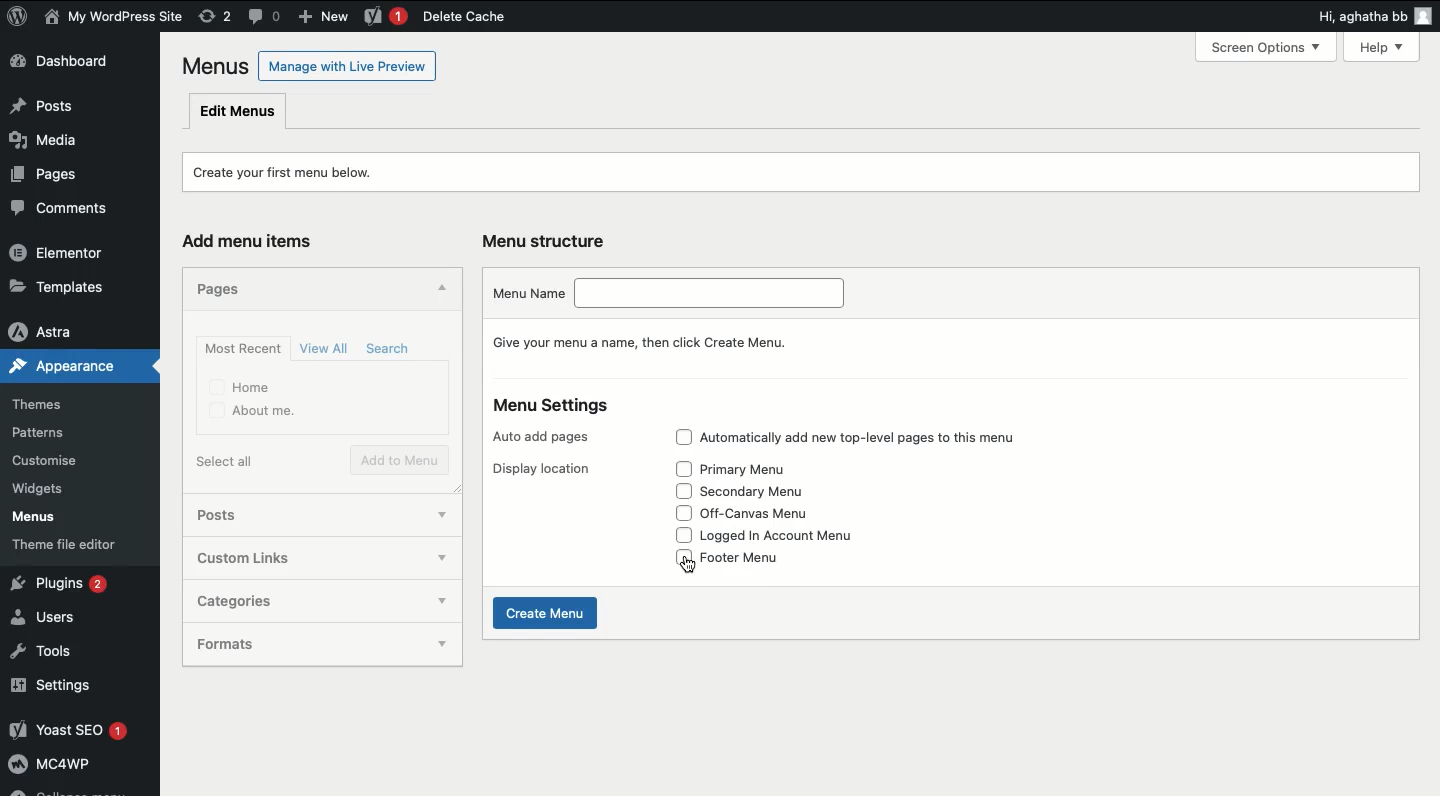  I want to click on Edit menus, so click(238, 112).